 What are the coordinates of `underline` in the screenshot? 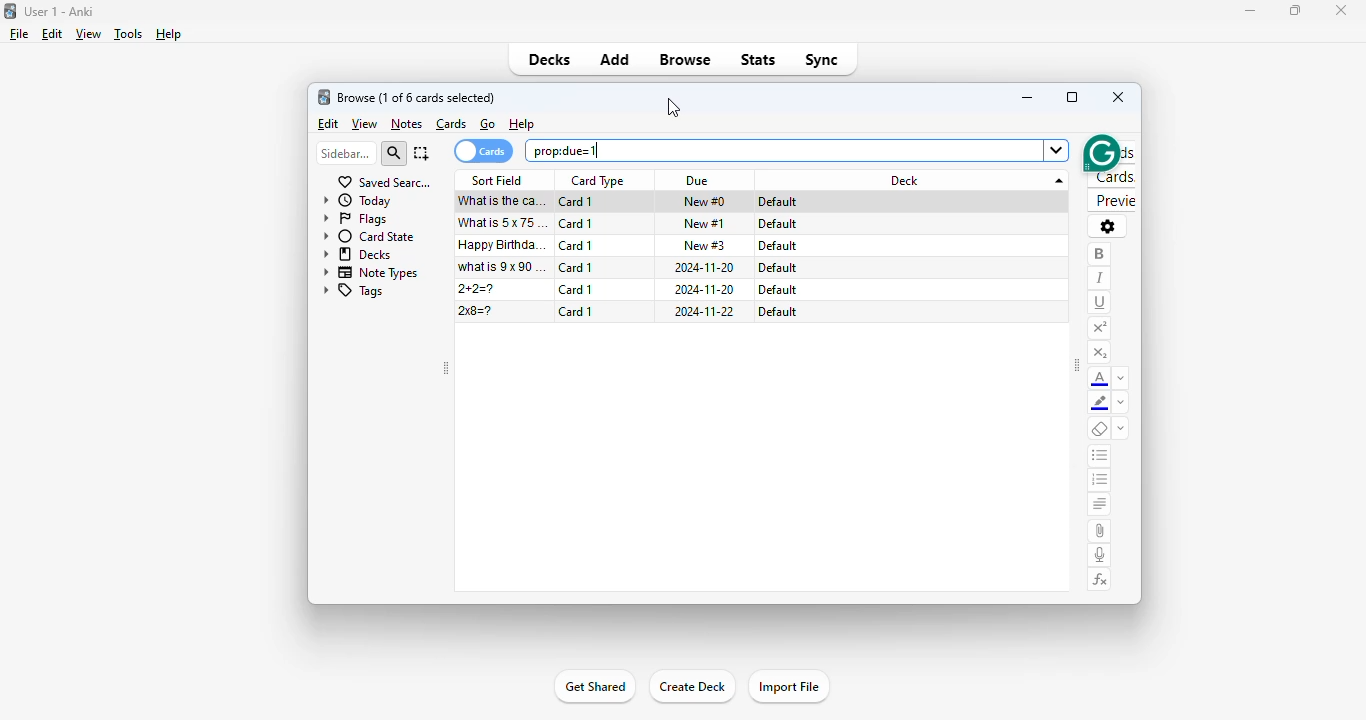 It's located at (1101, 303).